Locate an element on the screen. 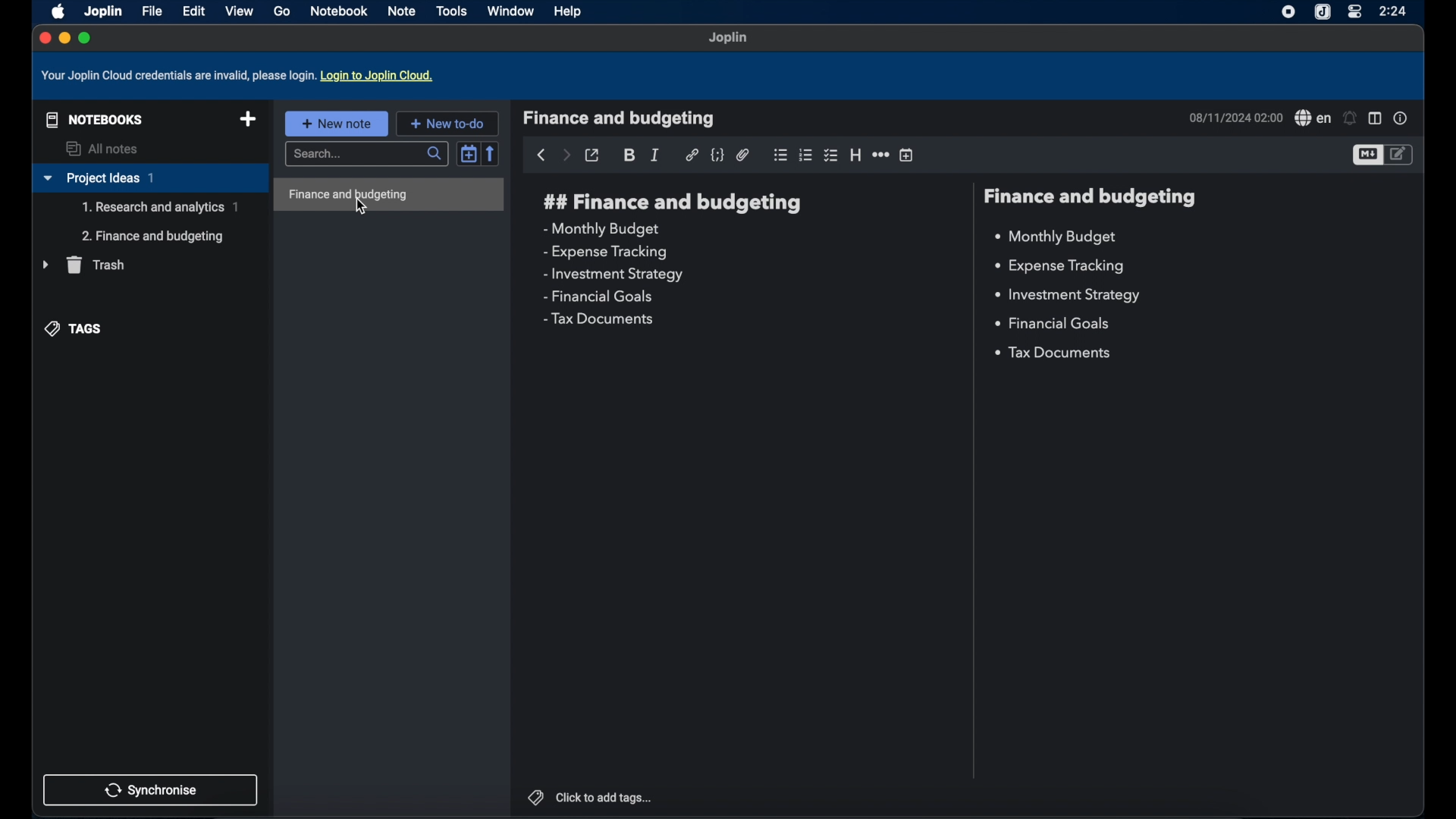  investment strategy is located at coordinates (614, 275).